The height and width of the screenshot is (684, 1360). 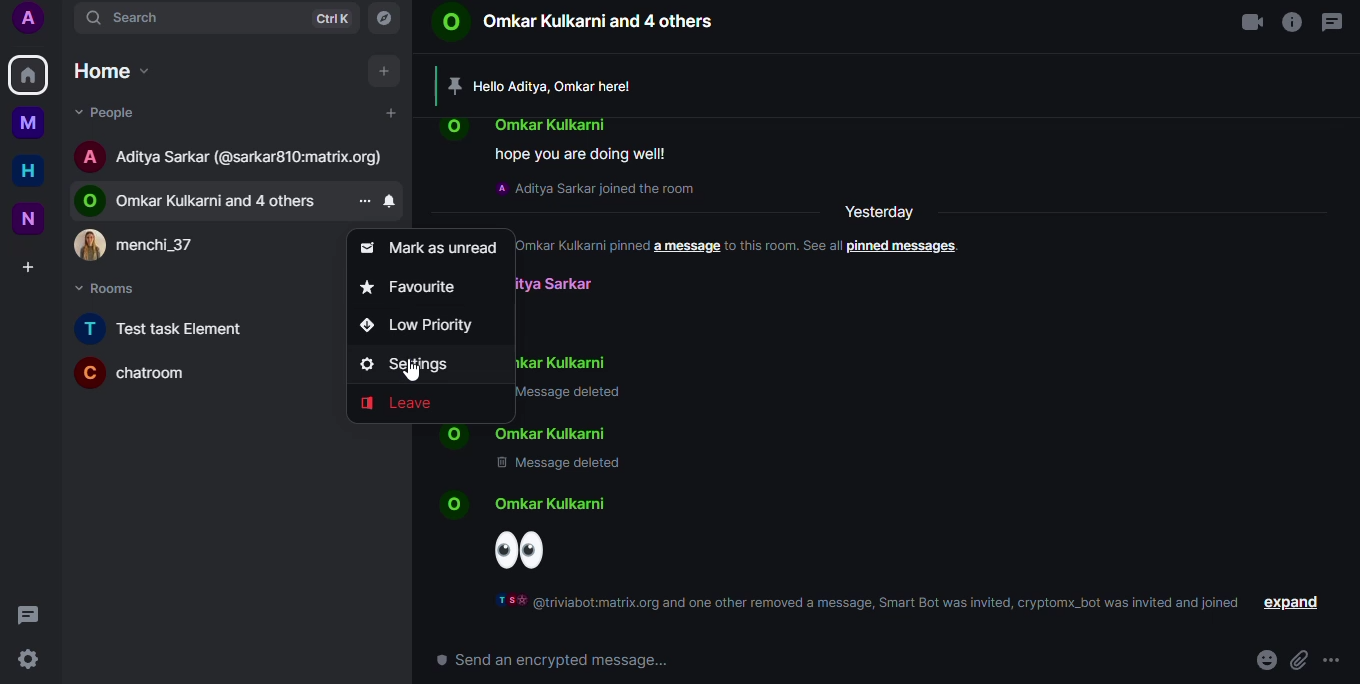 I want to click on home, so click(x=28, y=75).